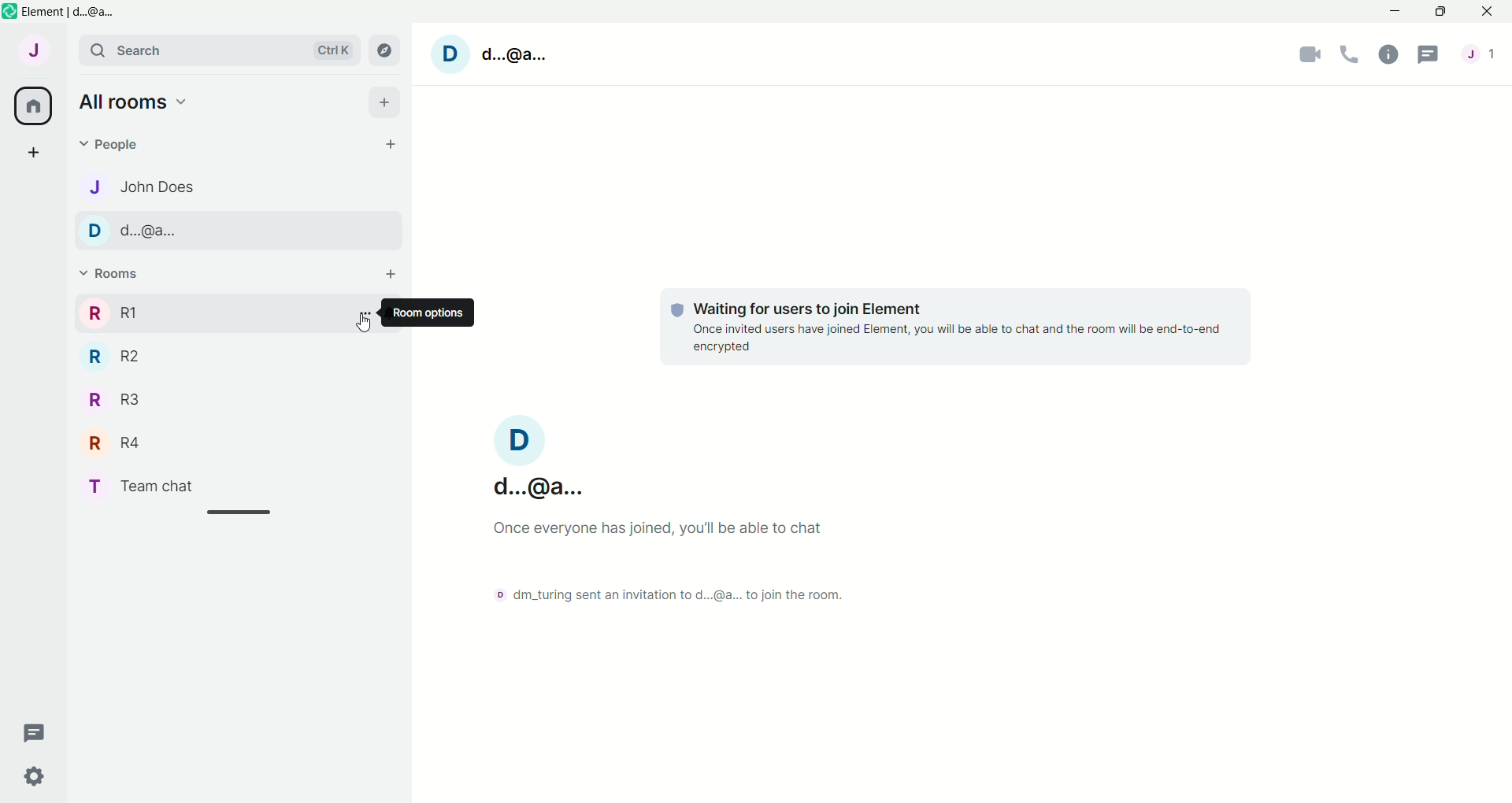  What do you see at coordinates (121, 145) in the screenshot?
I see `People` at bounding box center [121, 145].